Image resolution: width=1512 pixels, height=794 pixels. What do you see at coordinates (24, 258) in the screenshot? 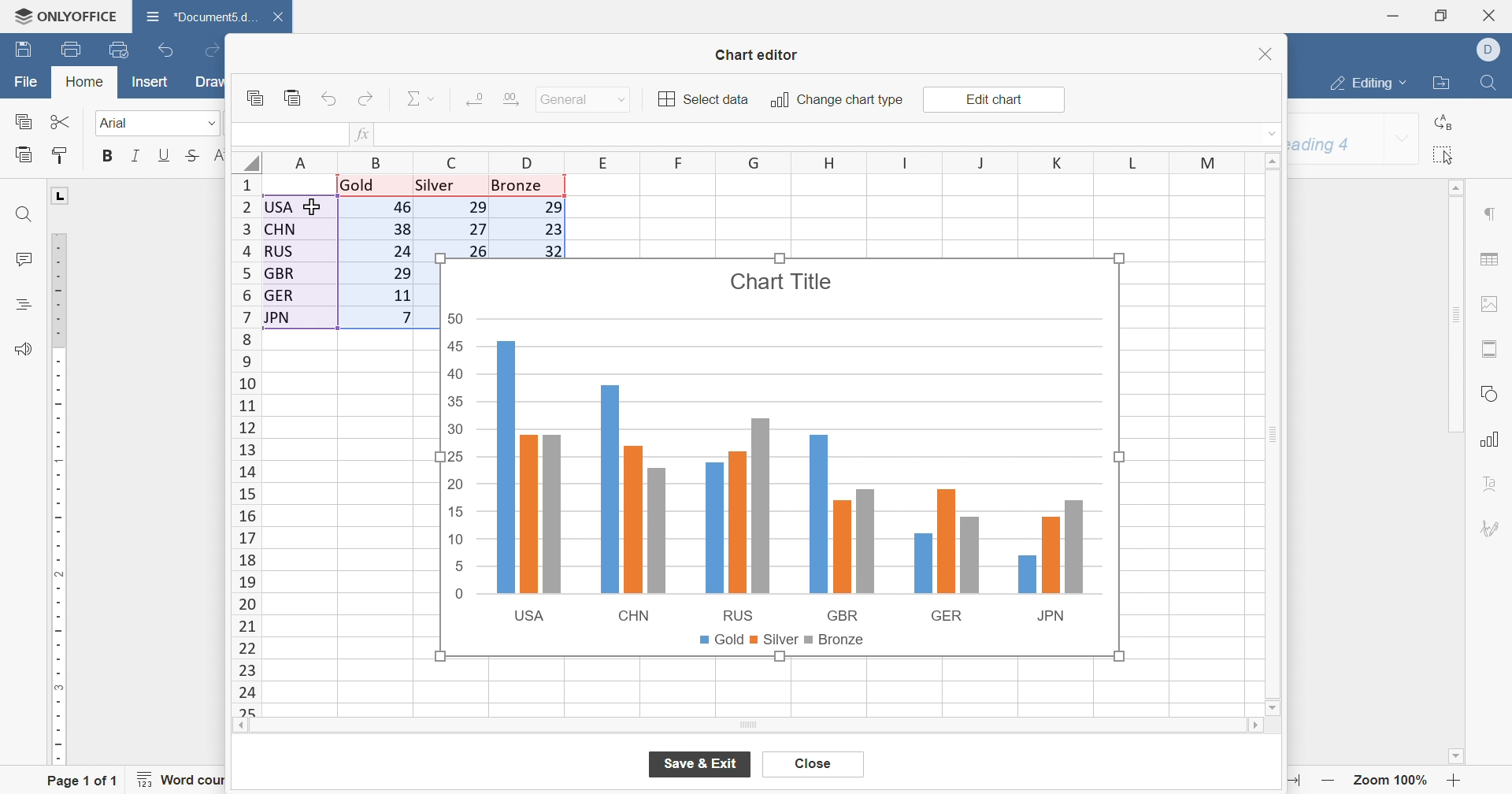
I see `comments` at bounding box center [24, 258].